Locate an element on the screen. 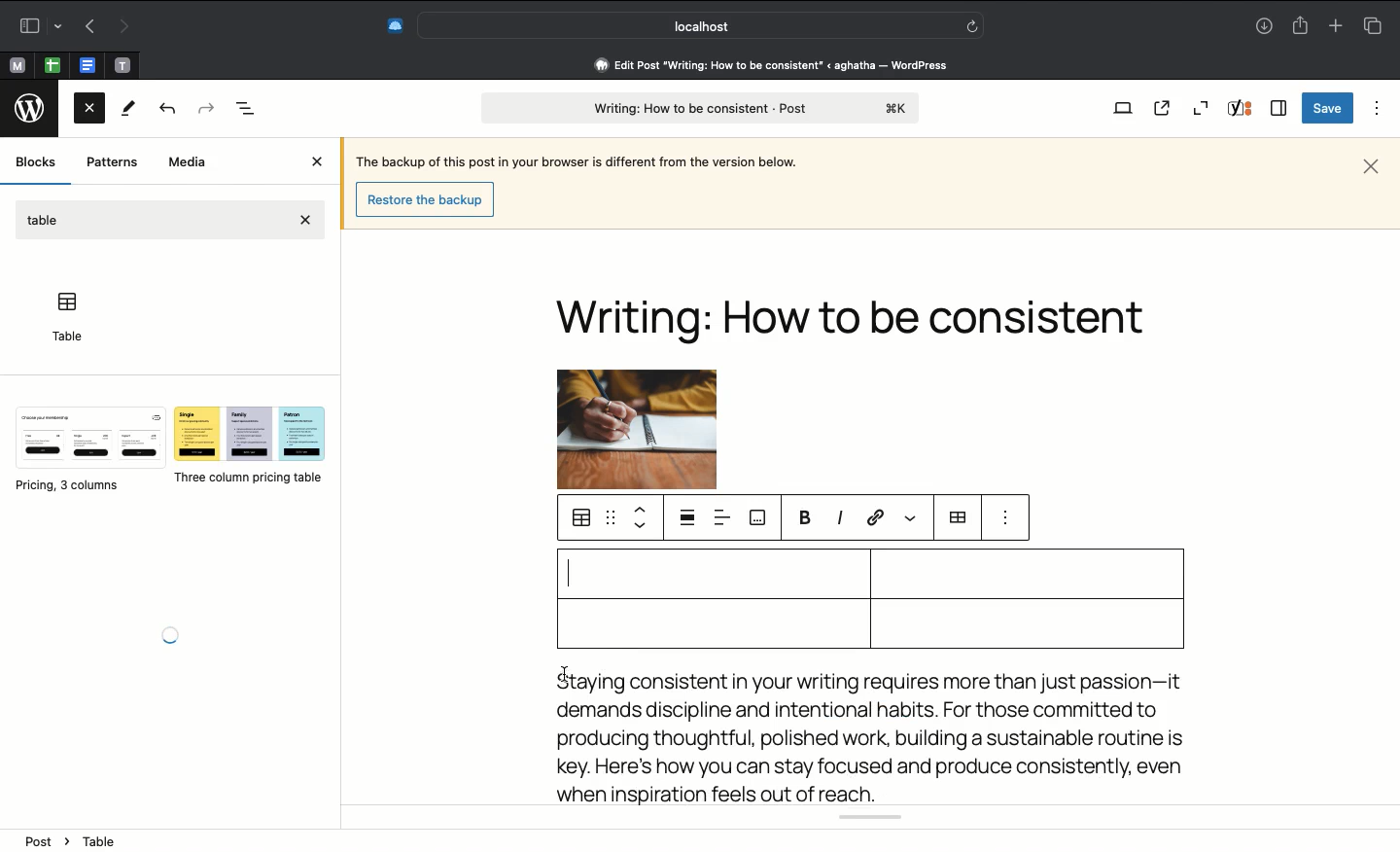 The image size is (1400, 852). comment is located at coordinates (755, 518).